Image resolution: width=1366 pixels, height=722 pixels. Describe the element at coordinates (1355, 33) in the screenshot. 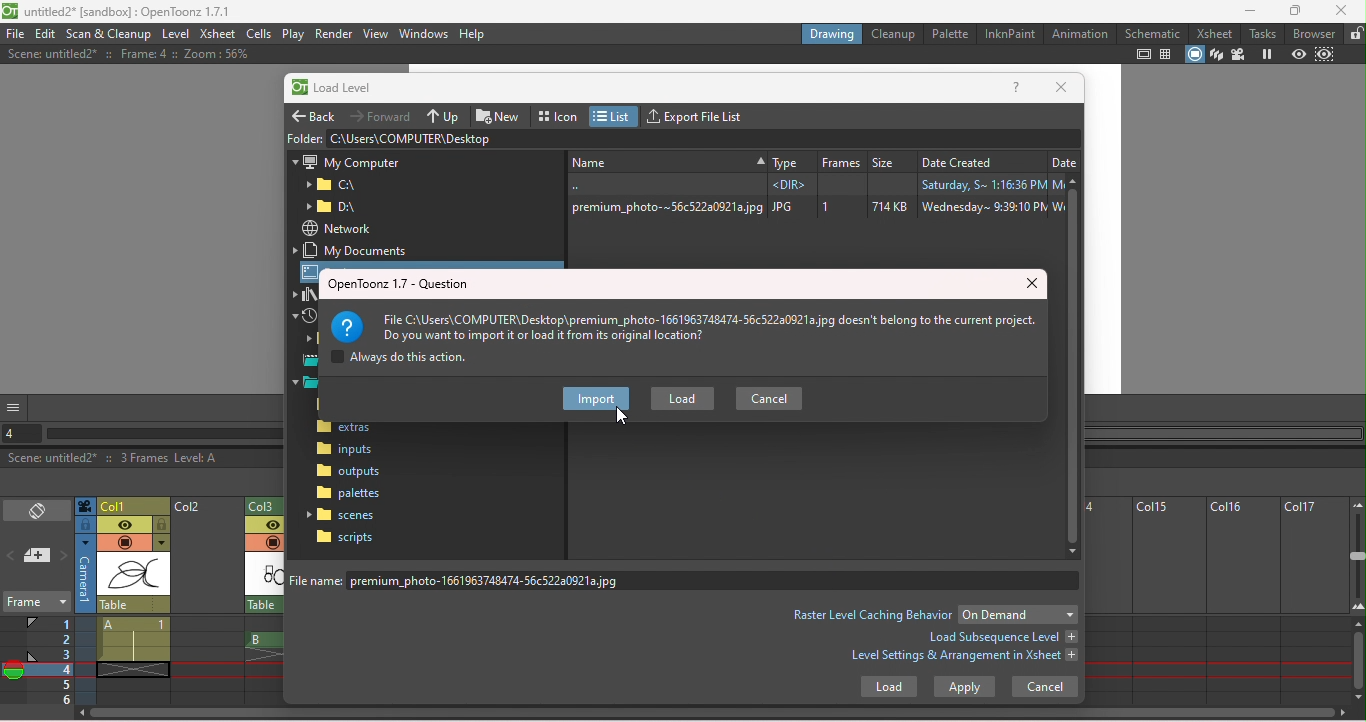

I see `Lock rooms lock` at that location.